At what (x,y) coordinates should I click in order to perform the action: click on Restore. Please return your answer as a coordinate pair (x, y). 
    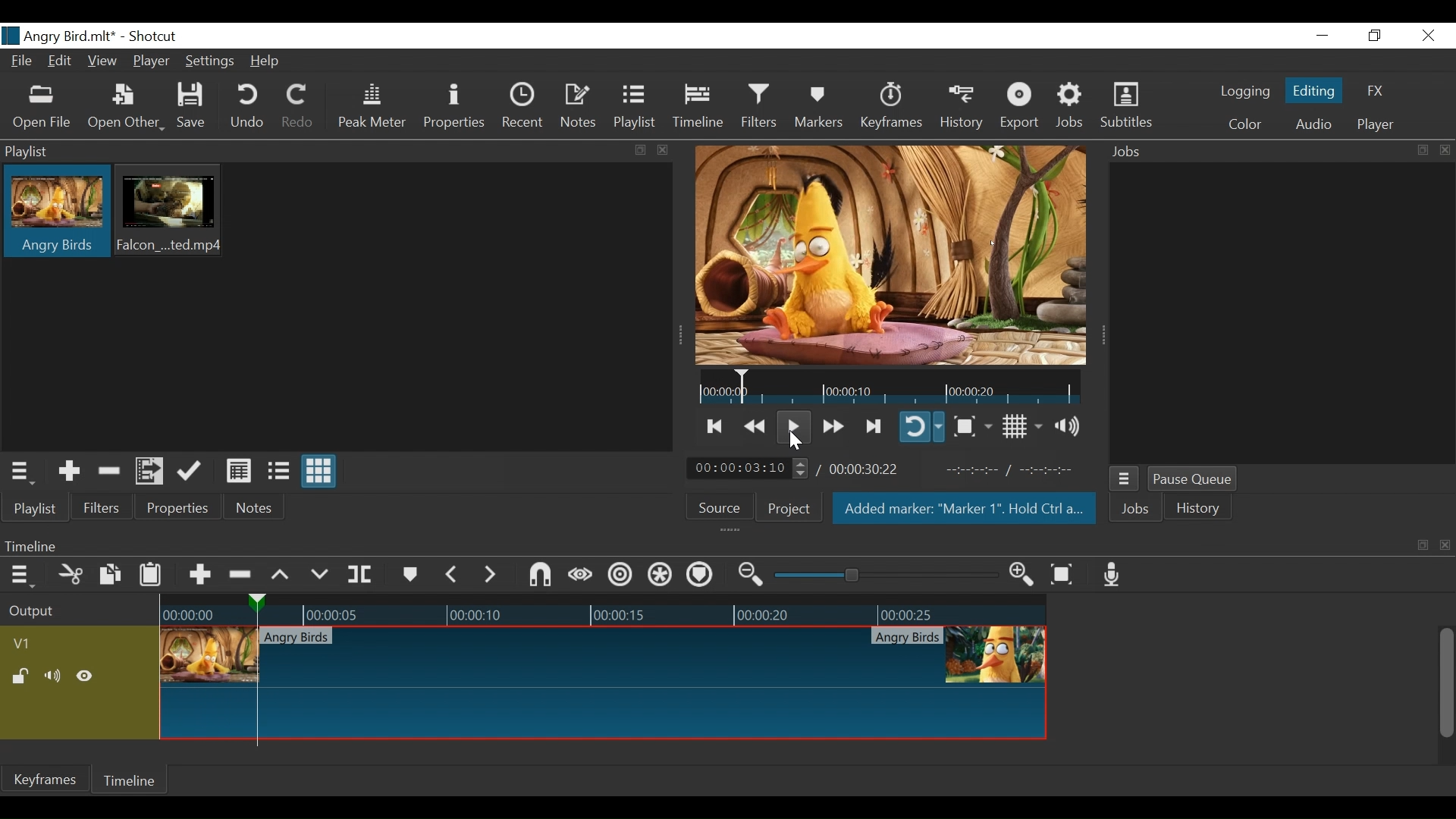
    Looking at the image, I should click on (1373, 36).